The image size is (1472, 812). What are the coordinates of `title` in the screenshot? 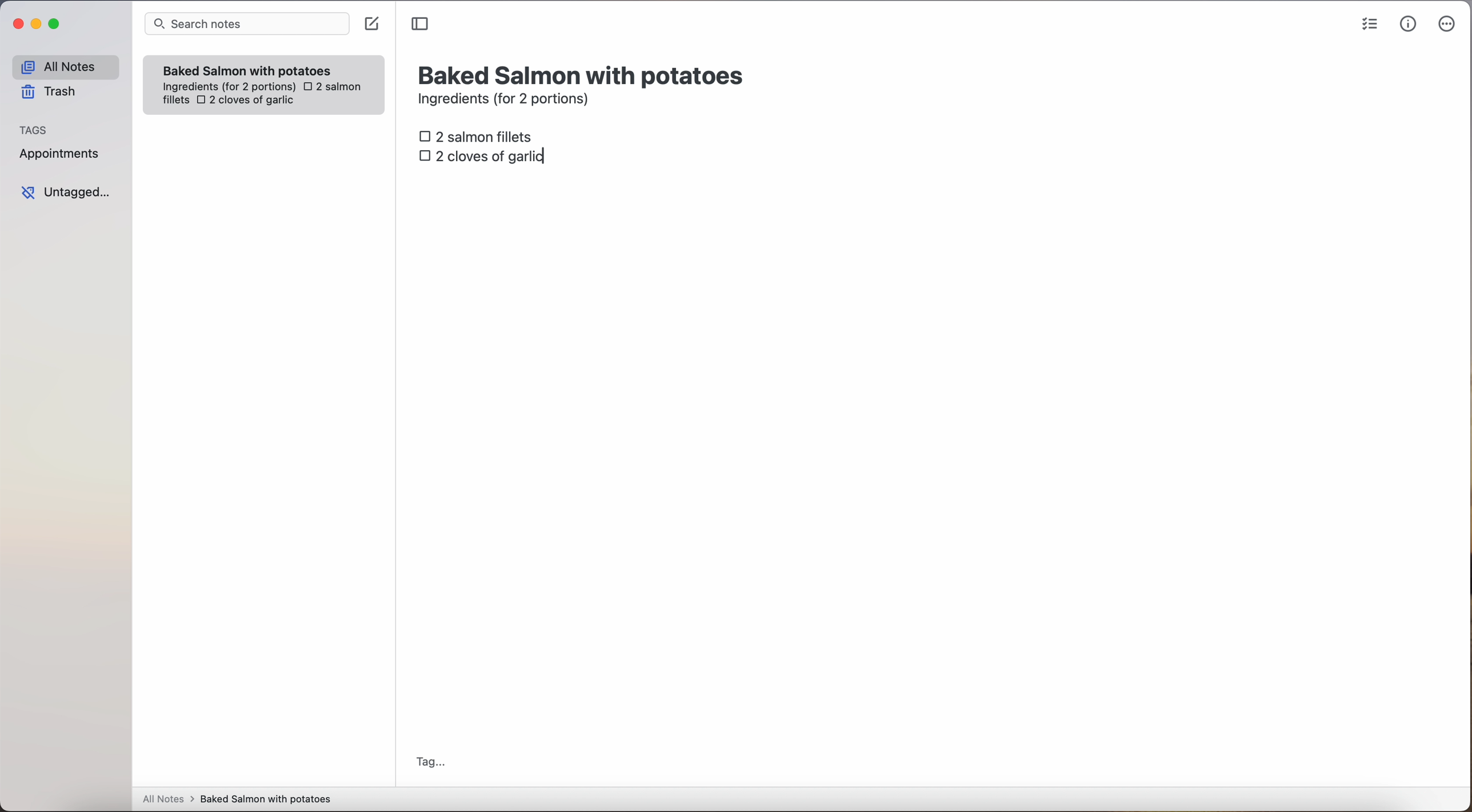 It's located at (583, 74).